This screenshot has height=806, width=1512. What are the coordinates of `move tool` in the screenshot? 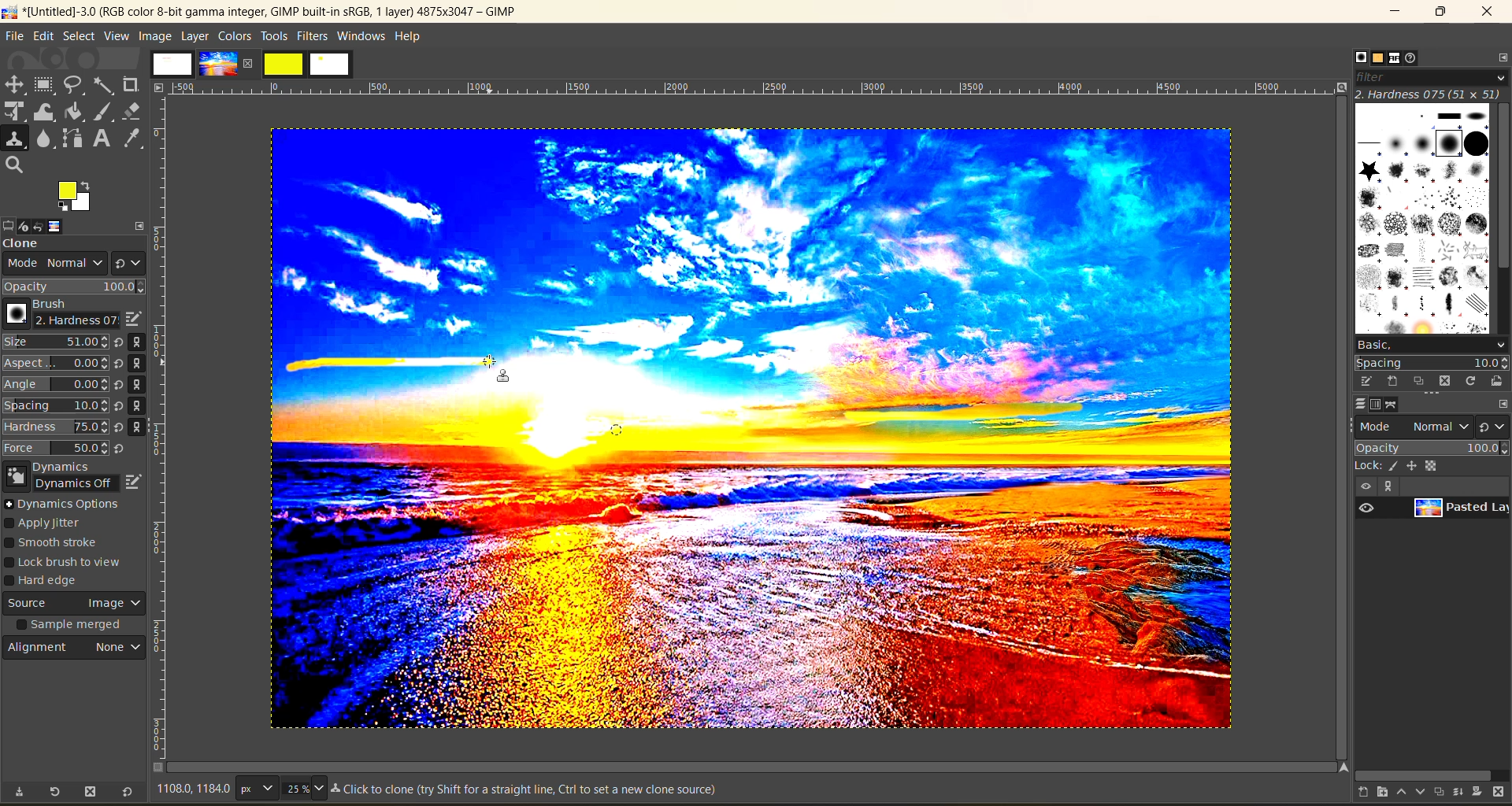 It's located at (15, 84).